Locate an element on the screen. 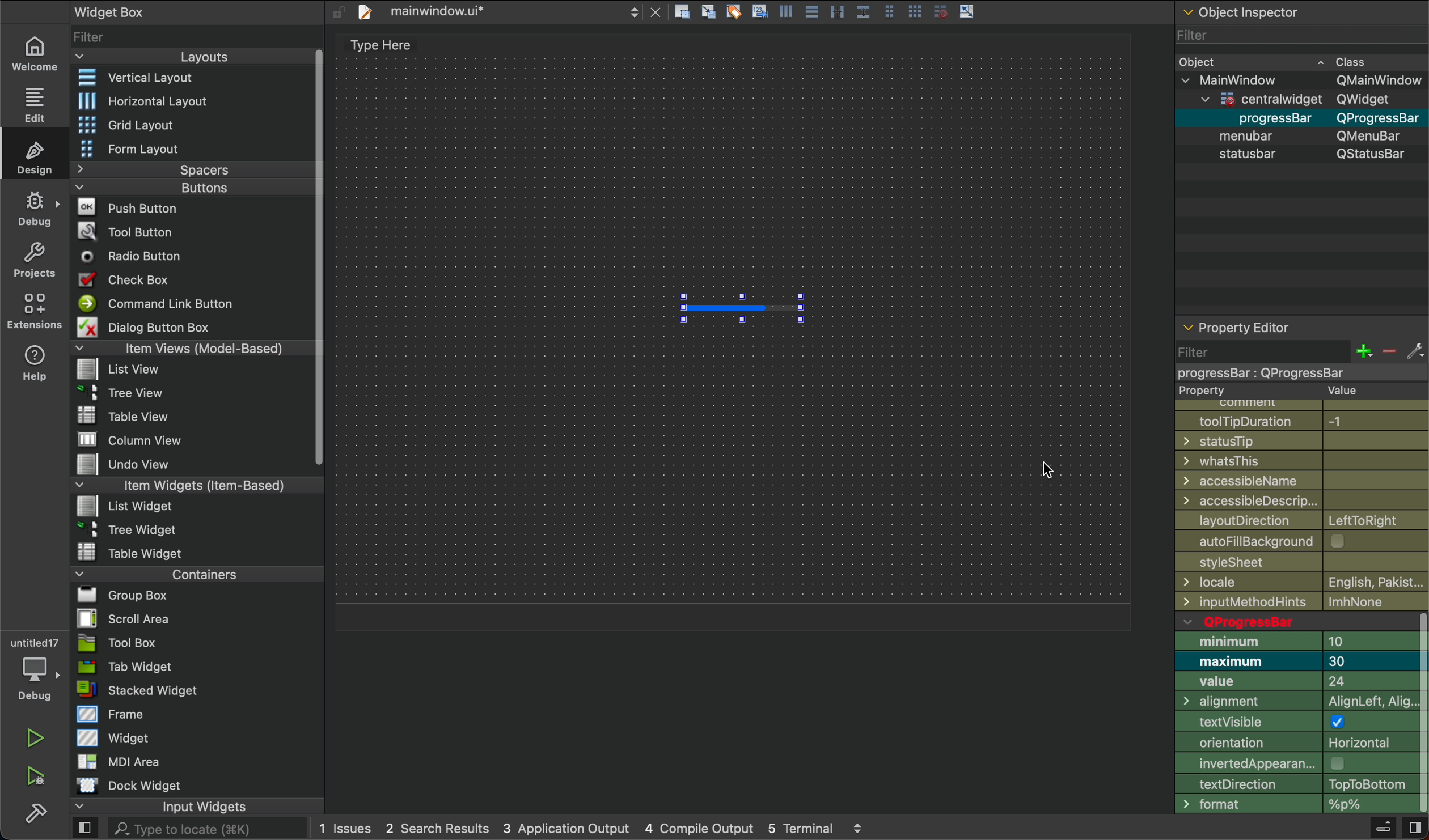 Image resolution: width=1429 pixels, height=840 pixels. Spacer is located at coordinates (177, 169).